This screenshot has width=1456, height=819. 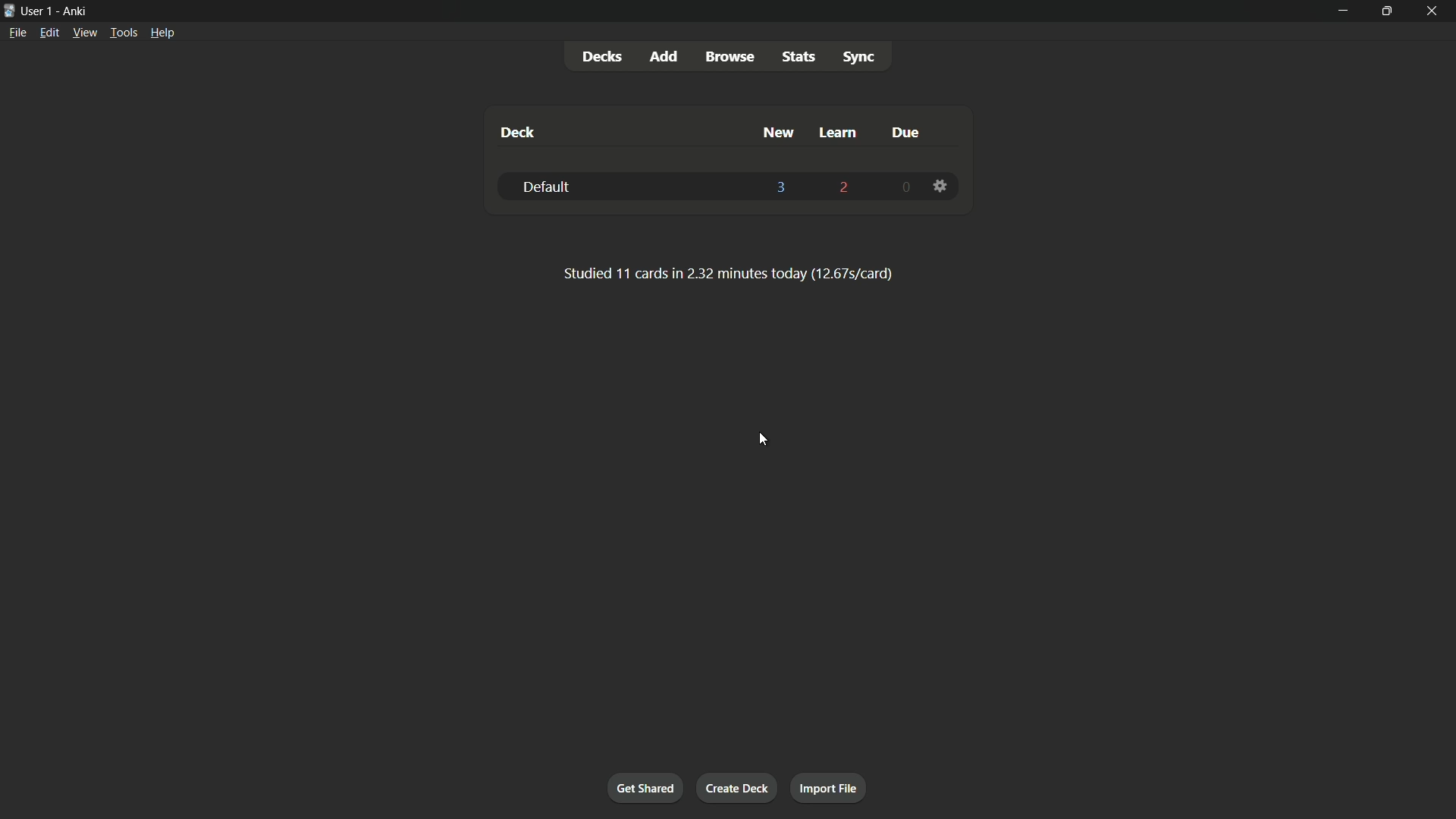 I want to click on 3, so click(x=783, y=188).